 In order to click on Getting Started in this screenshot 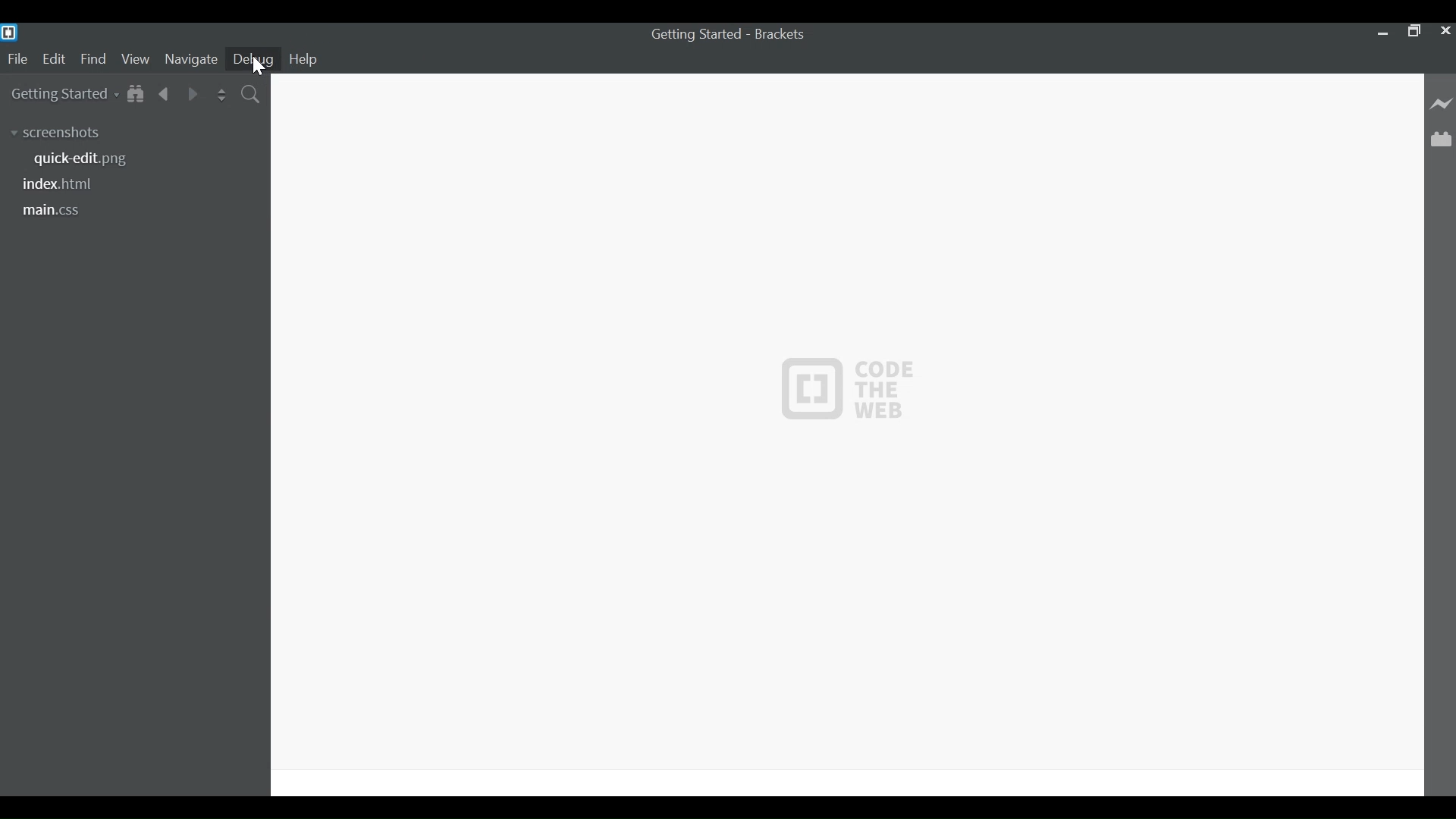, I will do `click(64, 93)`.